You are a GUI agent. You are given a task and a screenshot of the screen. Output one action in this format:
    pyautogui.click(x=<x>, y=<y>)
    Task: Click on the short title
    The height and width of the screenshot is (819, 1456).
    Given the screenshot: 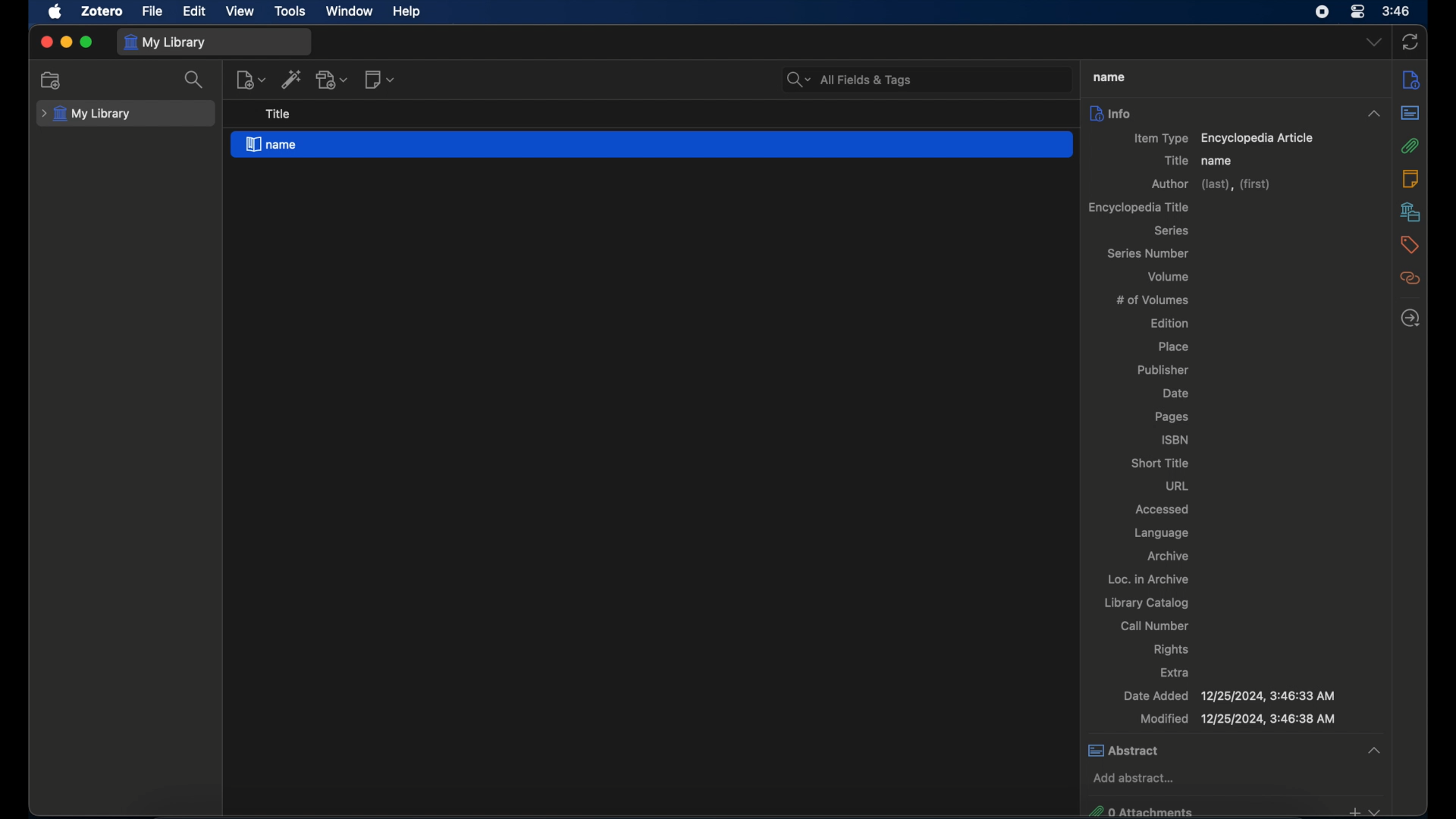 What is the action you would take?
    pyautogui.click(x=1161, y=463)
    